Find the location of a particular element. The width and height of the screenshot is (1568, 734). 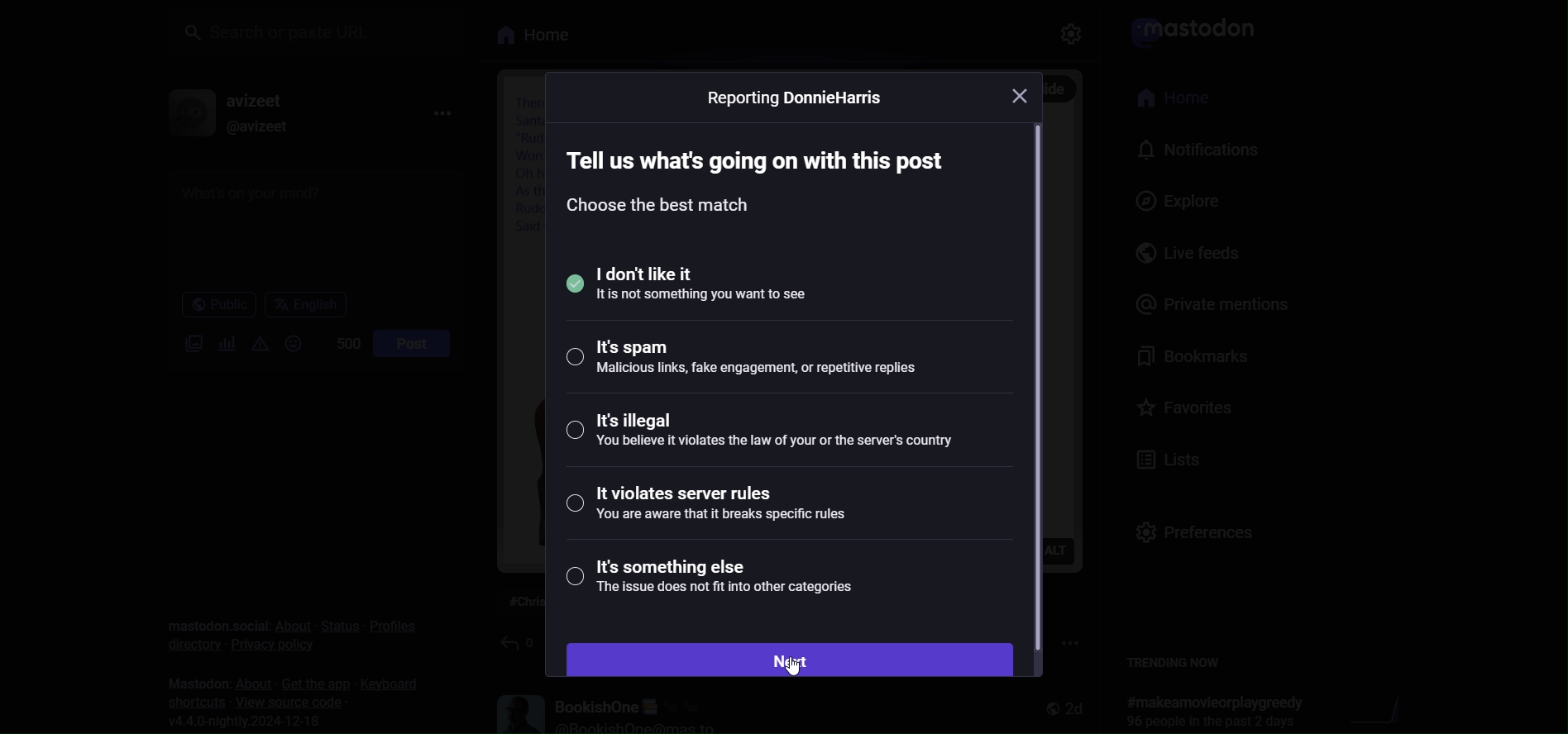

It's illegal
You believe it violates the law of your or the server's country is located at coordinates (763, 439).